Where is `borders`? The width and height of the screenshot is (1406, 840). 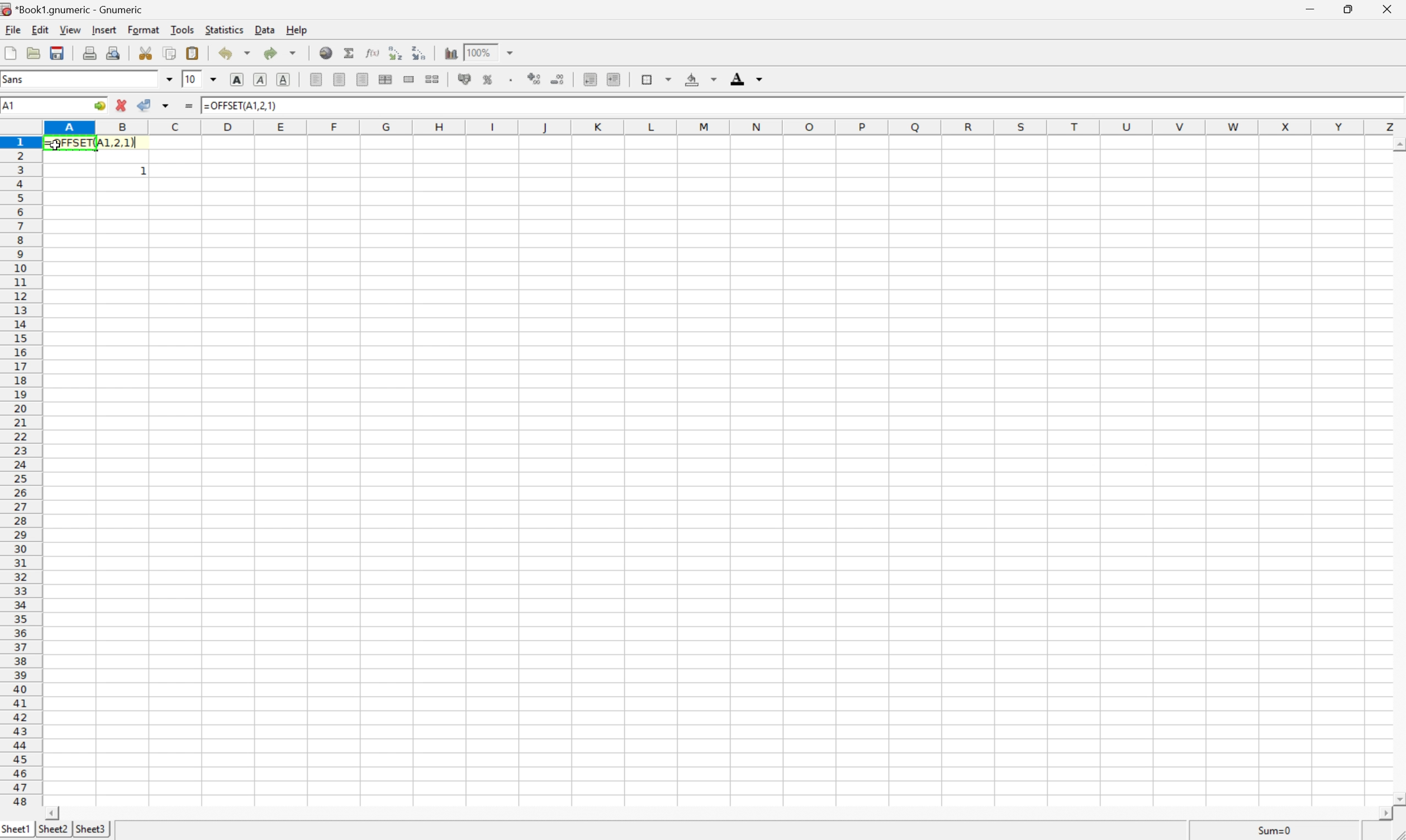 borders is located at coordinates (655, 80).